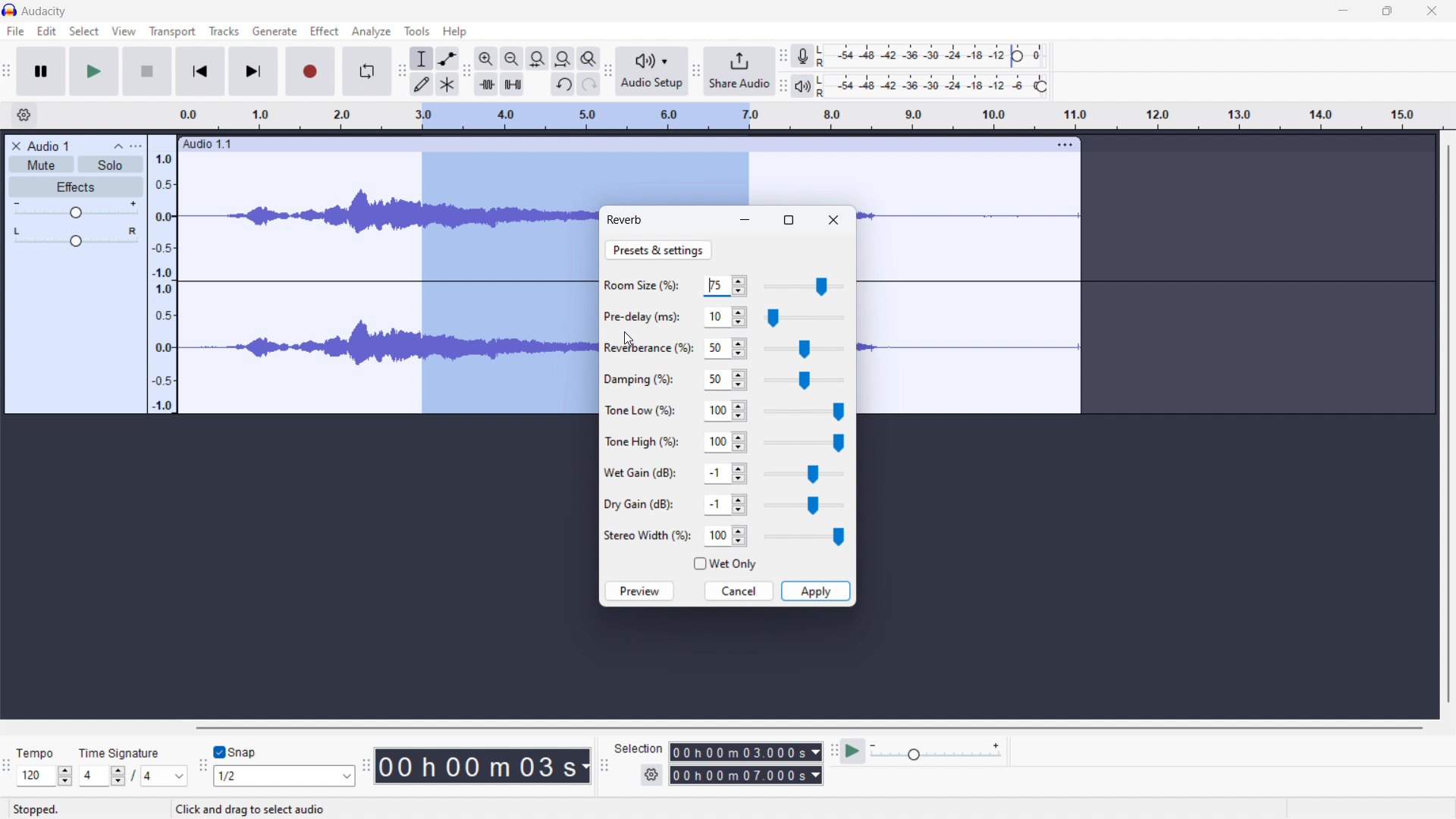 Image resolution: width=1456 pixels, height=819 pixels. What do you see at coordinates (224, 31) in the screenshot?
I see `tracks` at bounding box center [224, 31].